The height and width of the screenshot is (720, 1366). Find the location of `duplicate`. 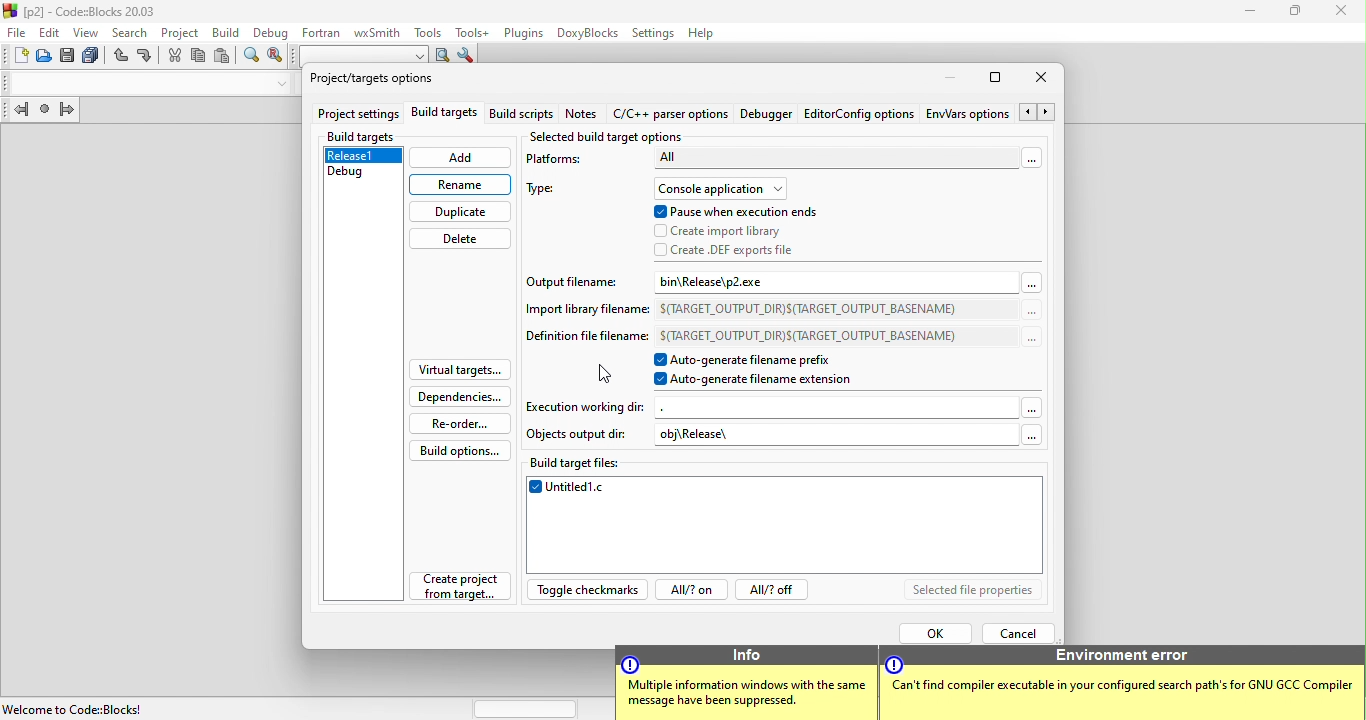

duplicate is located at coordinates (461, 213).